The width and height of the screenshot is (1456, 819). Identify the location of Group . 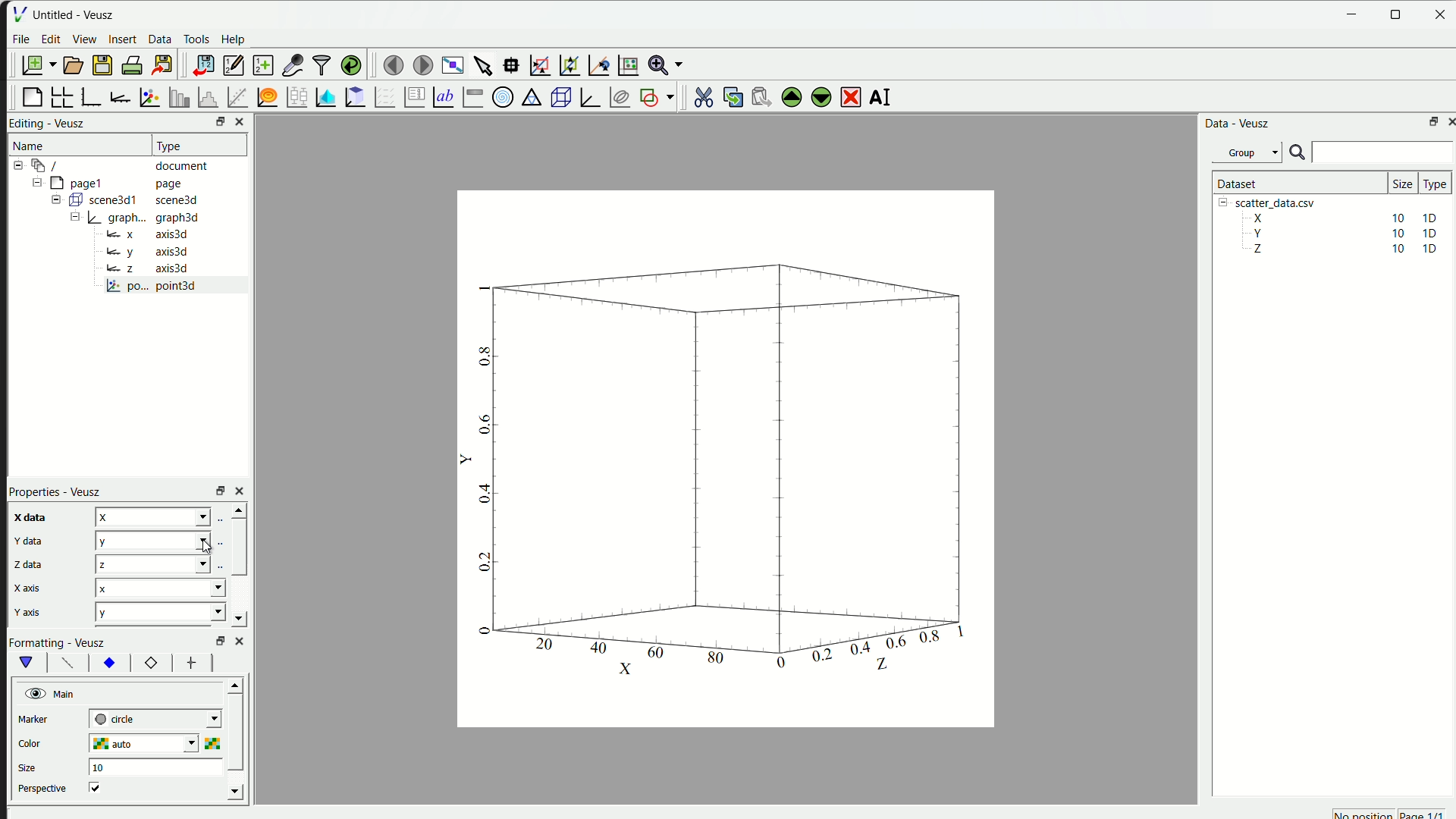
(1247, 154).